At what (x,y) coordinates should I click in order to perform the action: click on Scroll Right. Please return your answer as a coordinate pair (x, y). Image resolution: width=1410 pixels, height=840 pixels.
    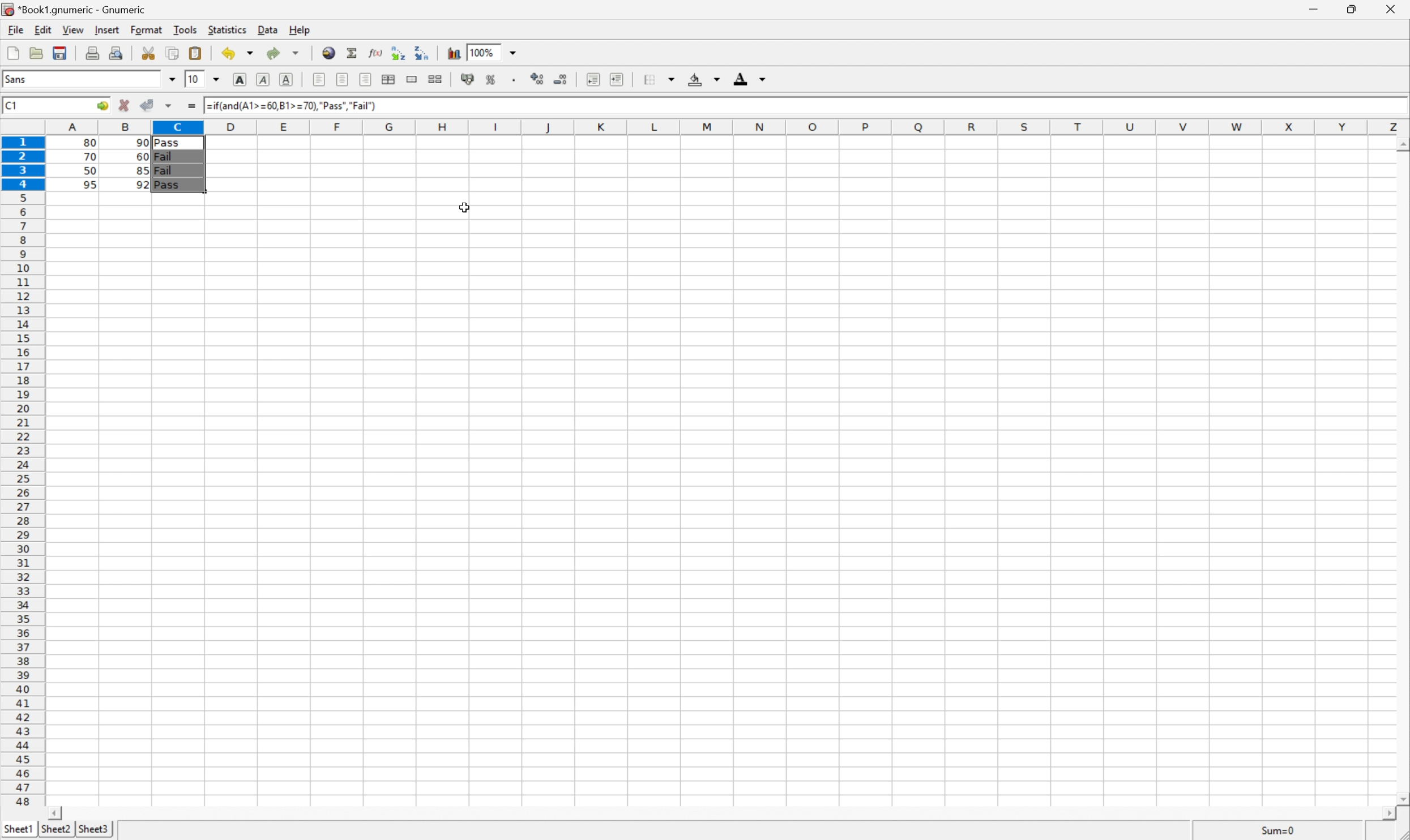
    Looking at the image, I should click on (1385, 813).